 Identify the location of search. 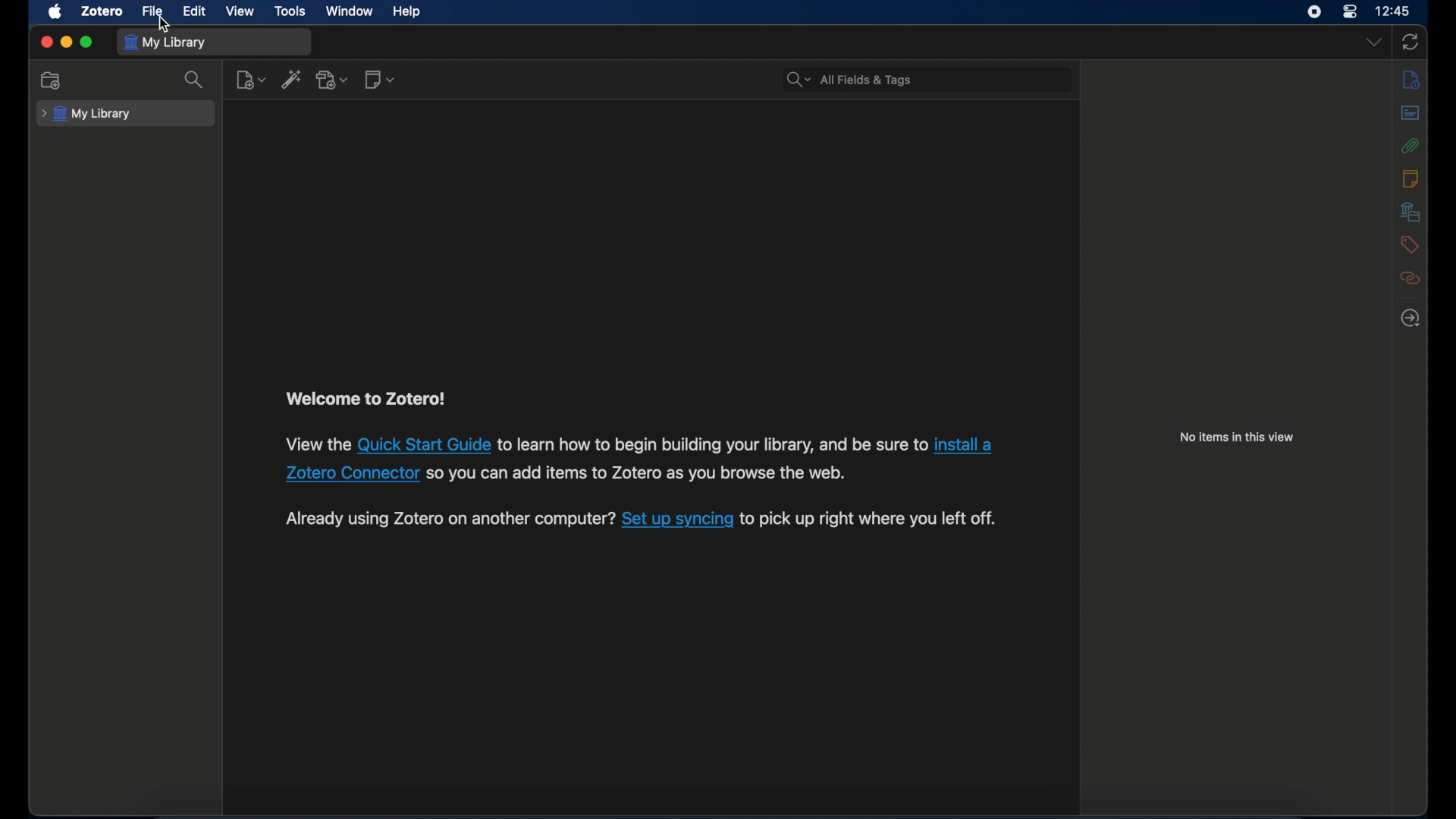
(849, 80).